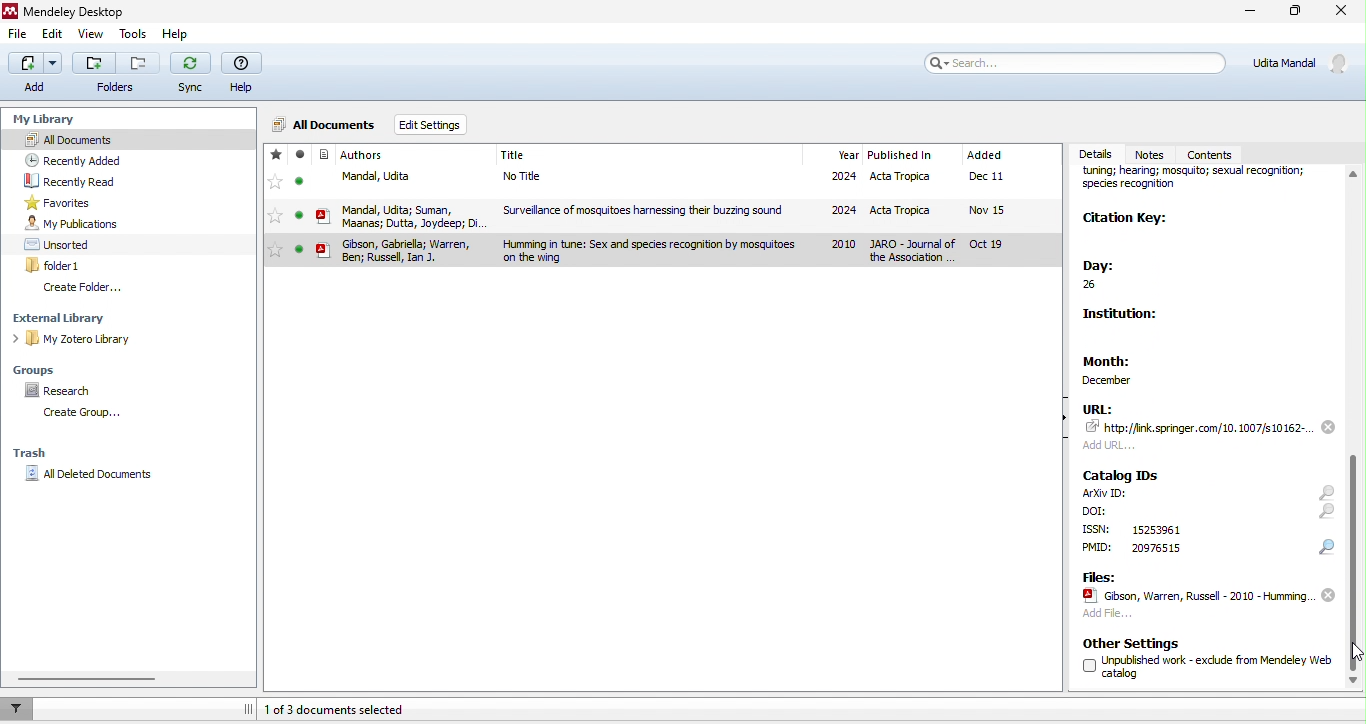  What do you see at coordinates (134, 36) in the screenshot?
I see `tools` at bounding box center [134, 36].